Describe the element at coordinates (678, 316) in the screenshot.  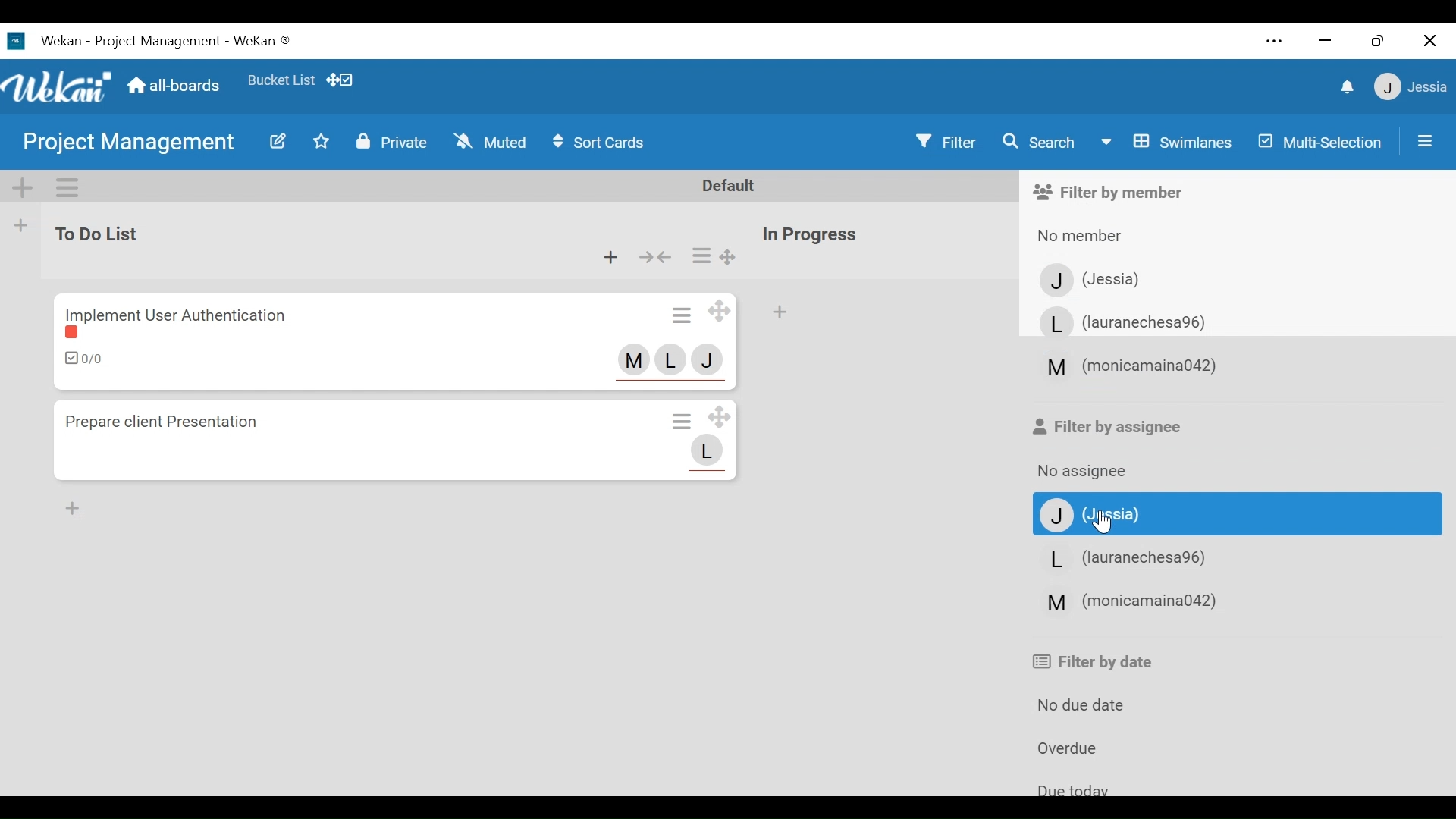
I see `Card actions` at that location.